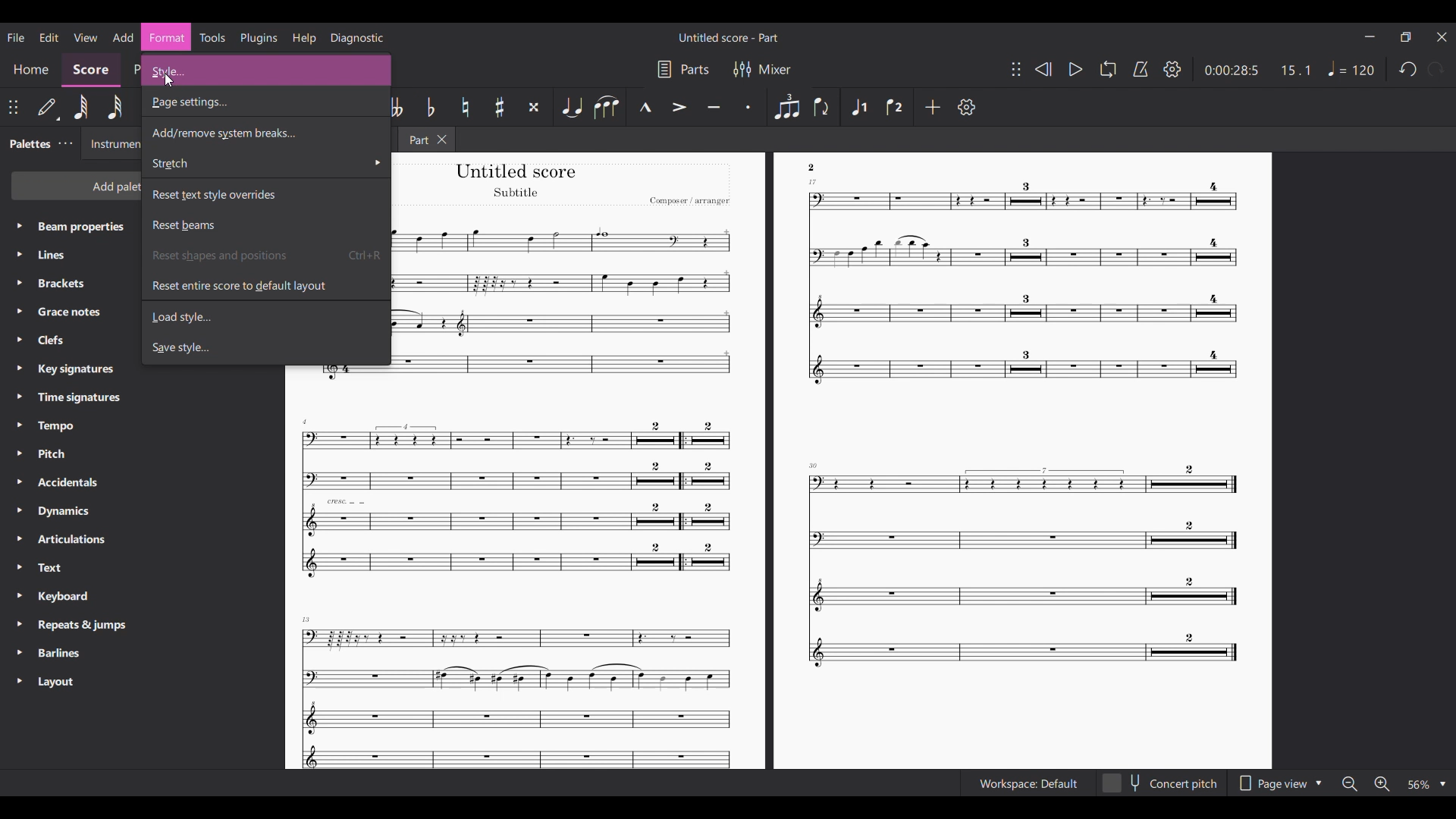 The width and height of the screenshot is (1456, 819). I want to click on , so click(515, 169).